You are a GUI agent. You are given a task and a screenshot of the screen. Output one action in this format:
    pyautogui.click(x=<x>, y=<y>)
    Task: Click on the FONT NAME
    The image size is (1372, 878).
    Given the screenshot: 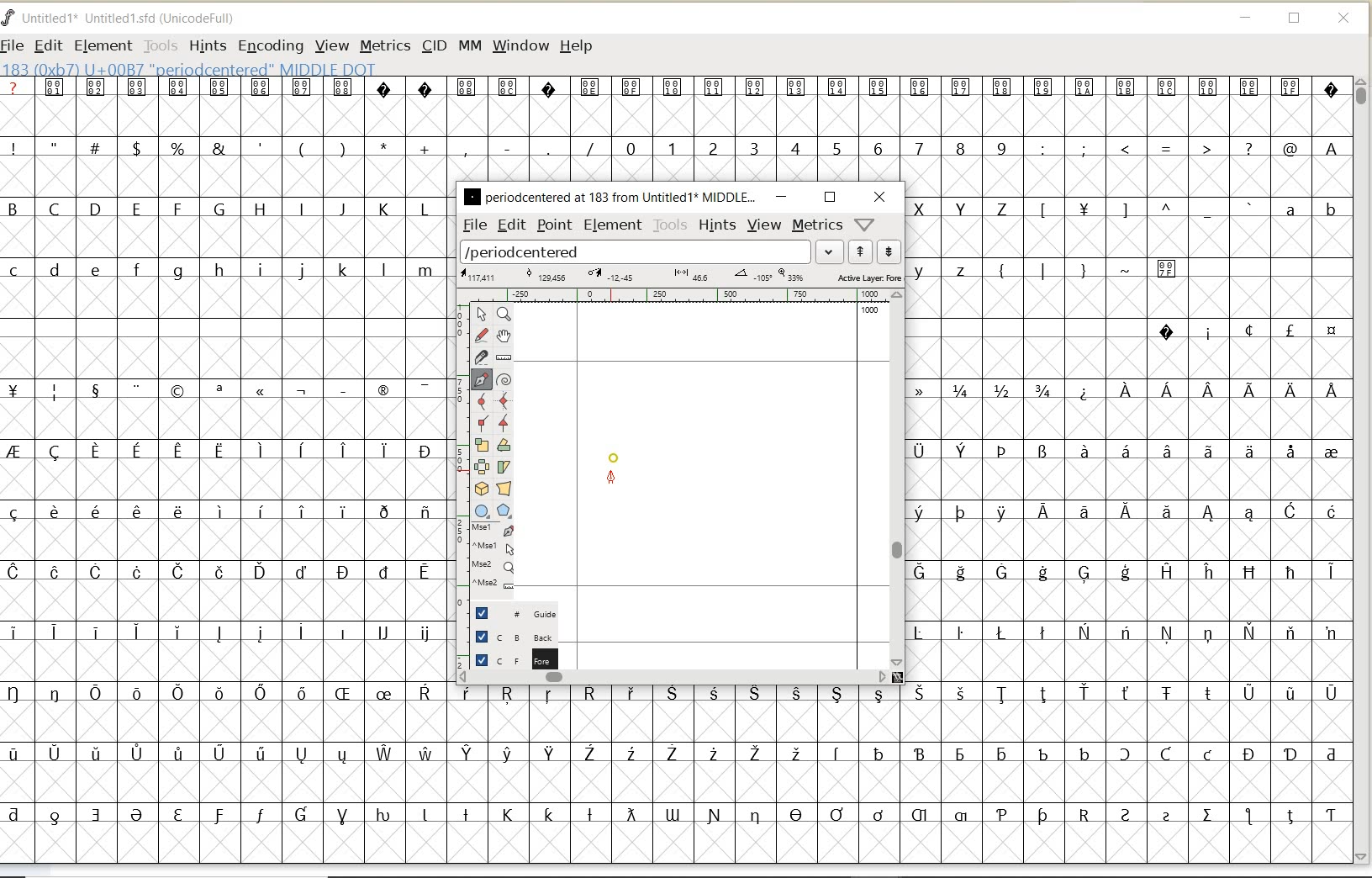 What is the action you would take?
    pyautogui.click(x=131, y=19)
    